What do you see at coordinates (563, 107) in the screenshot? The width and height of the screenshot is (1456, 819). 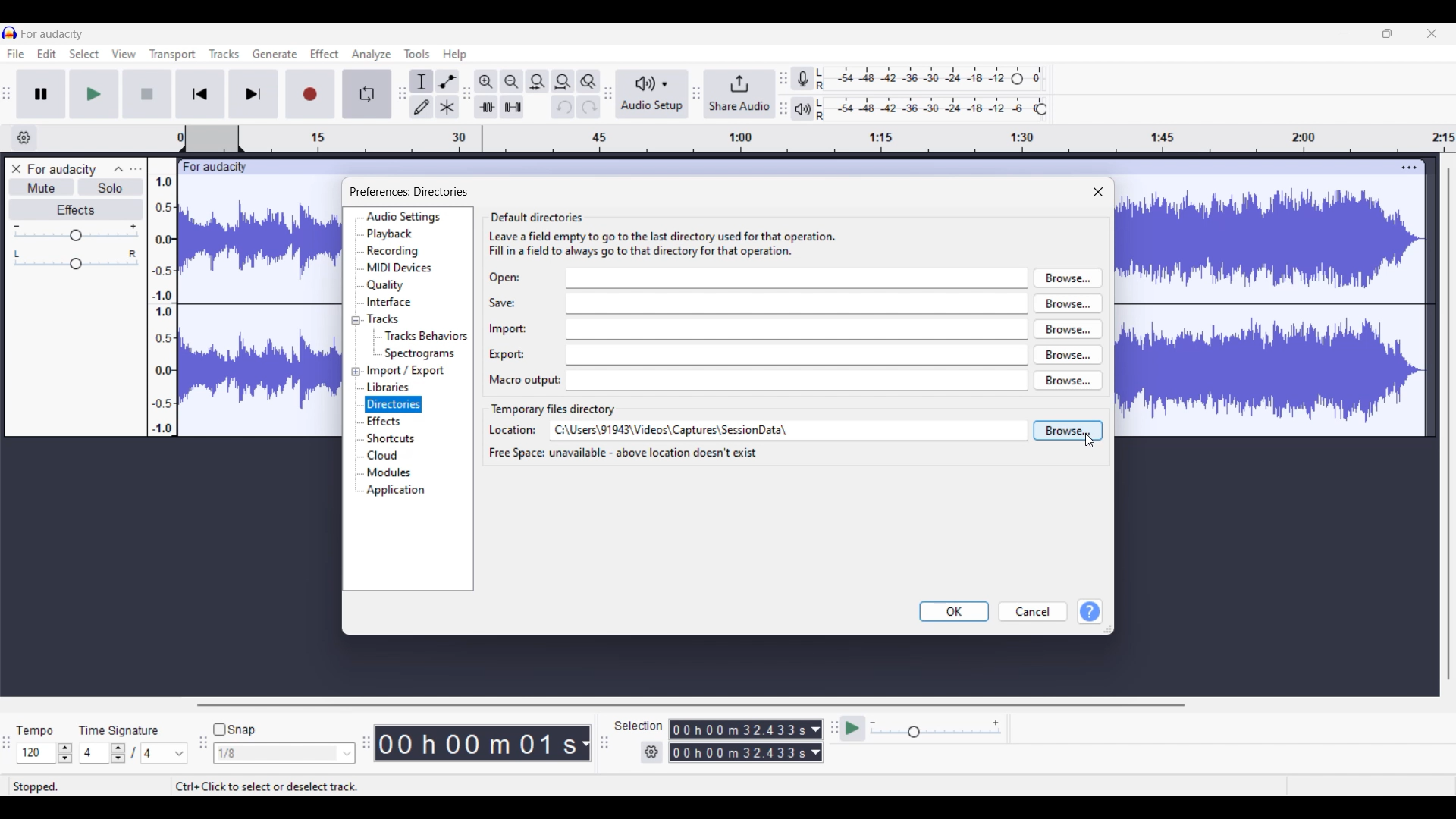 I see `Undo` at bounding box center [563, 107].